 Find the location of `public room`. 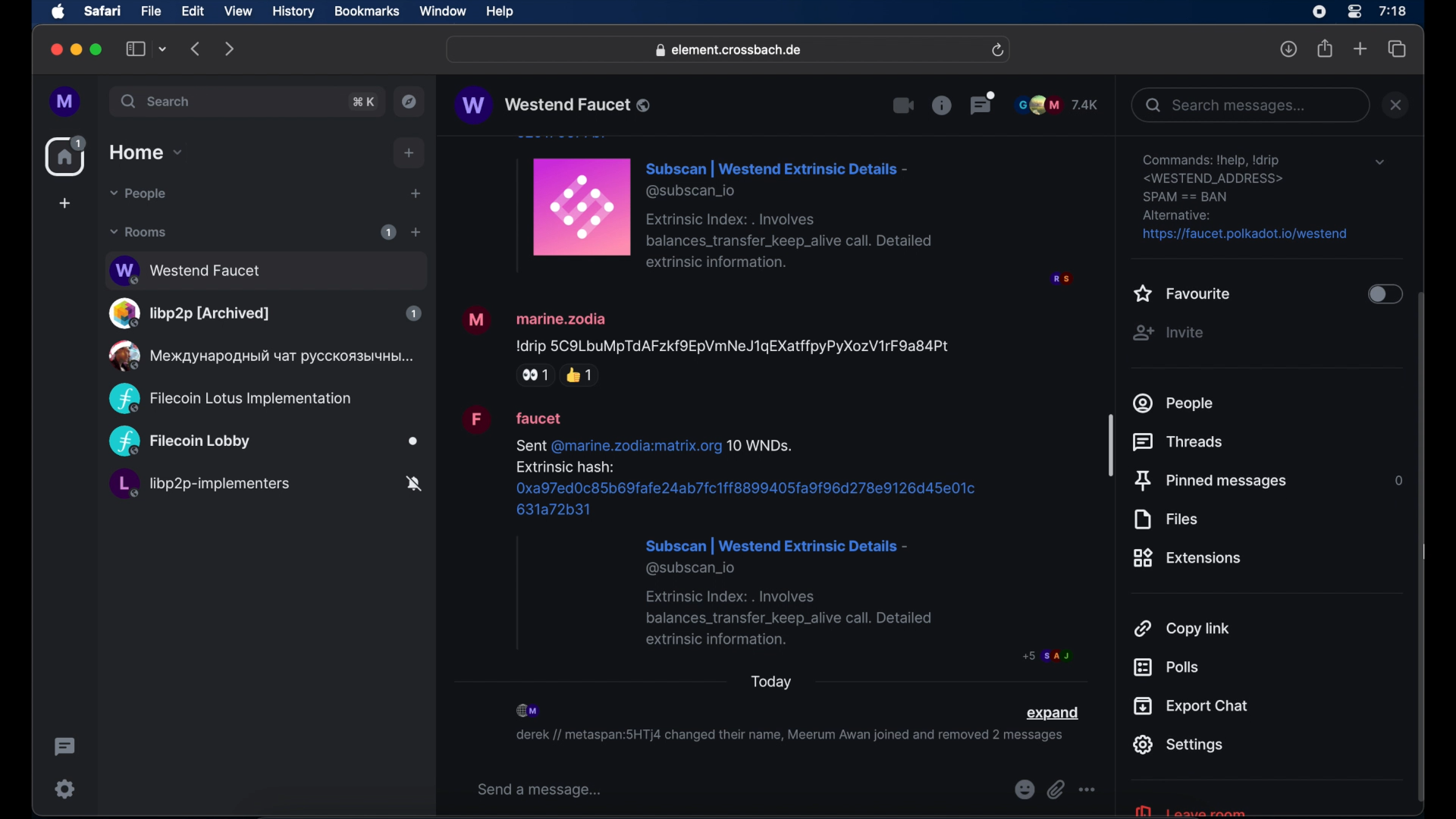

public room is located at coordinates (265, 486).